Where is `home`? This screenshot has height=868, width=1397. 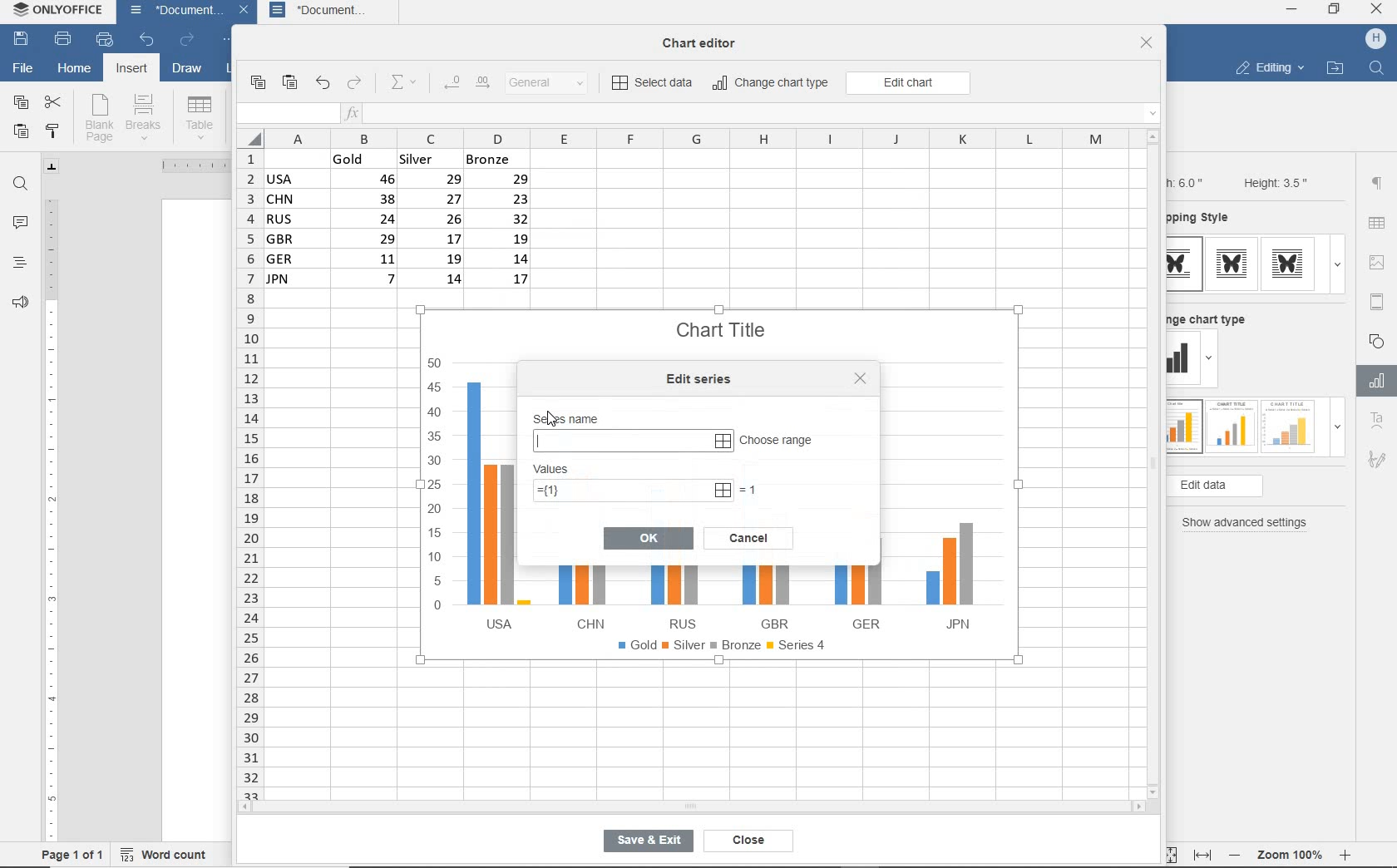 home is located at coordinates (74, 71).